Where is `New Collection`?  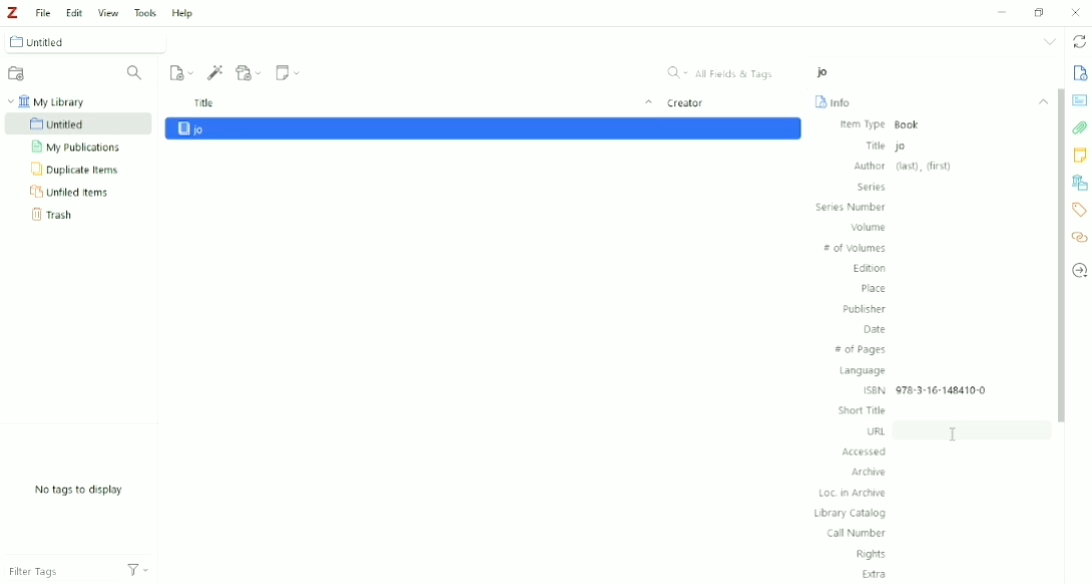
New Collection is located at coordinates (18, 73).